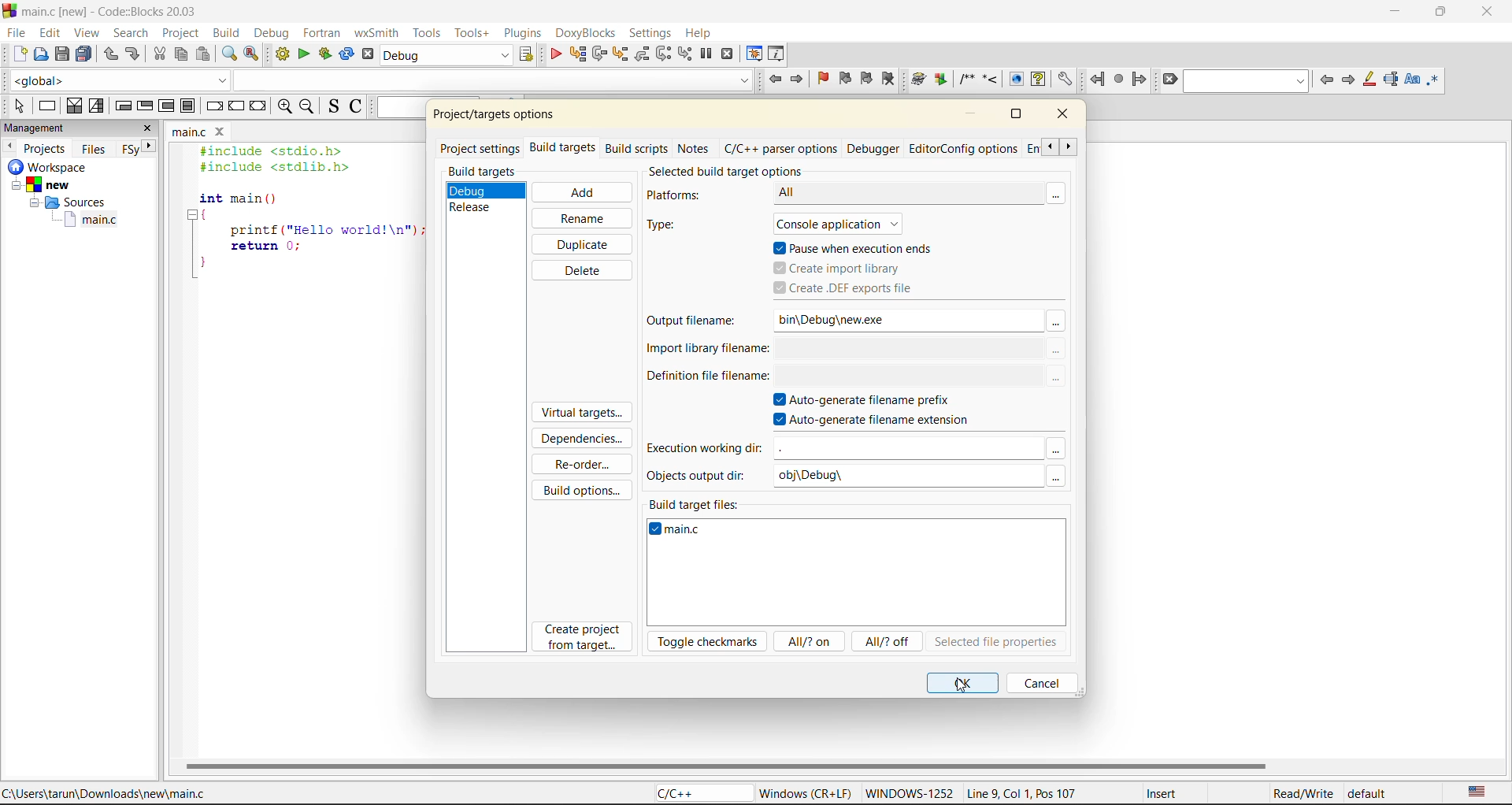  What do you see at coordinates (19, 54) in the screenshot?
I see `new` at bounding box center [19, 54].